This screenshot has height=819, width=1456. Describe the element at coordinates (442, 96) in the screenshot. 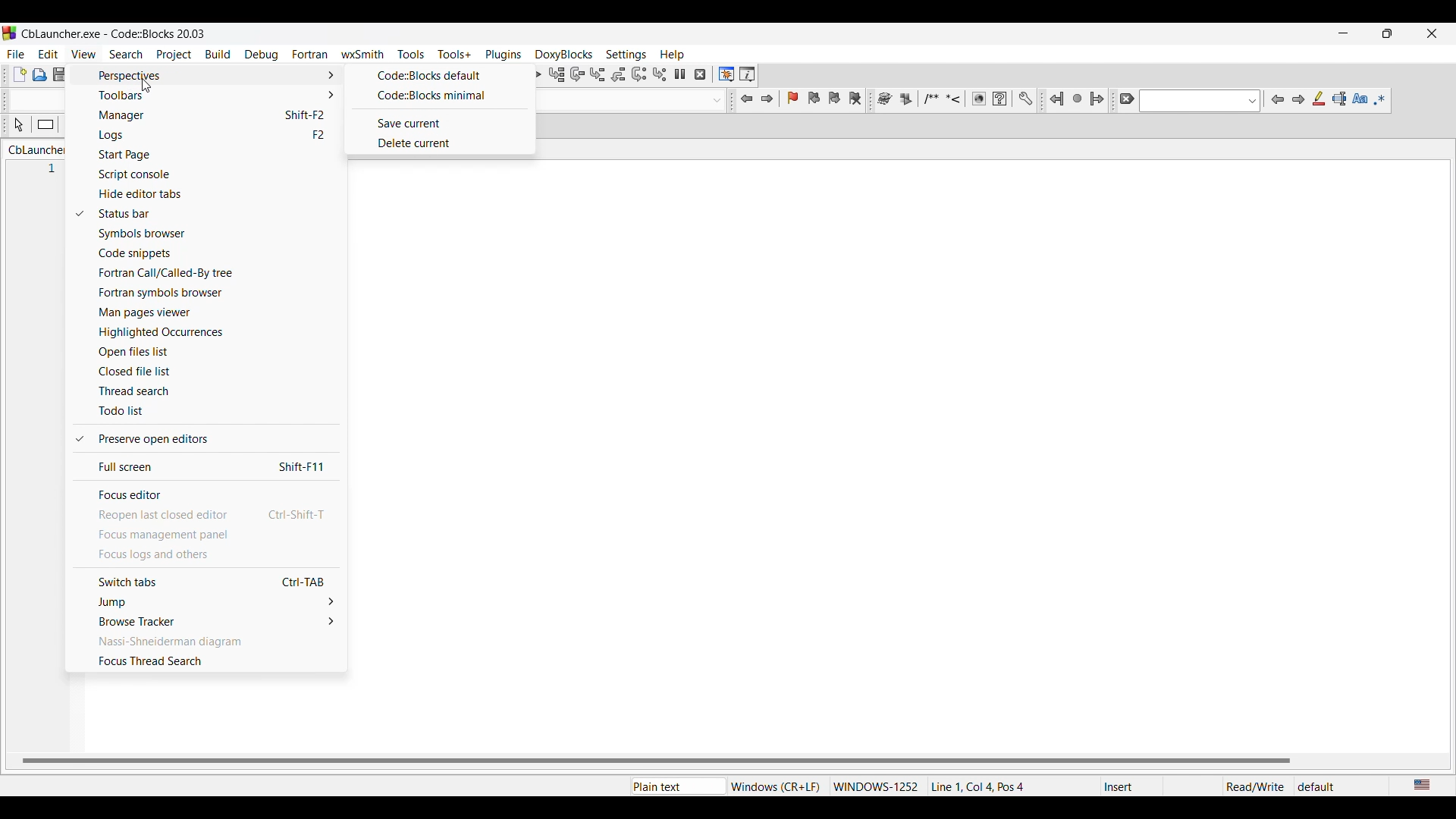

I see `Code::Blocks minimal` at that location.